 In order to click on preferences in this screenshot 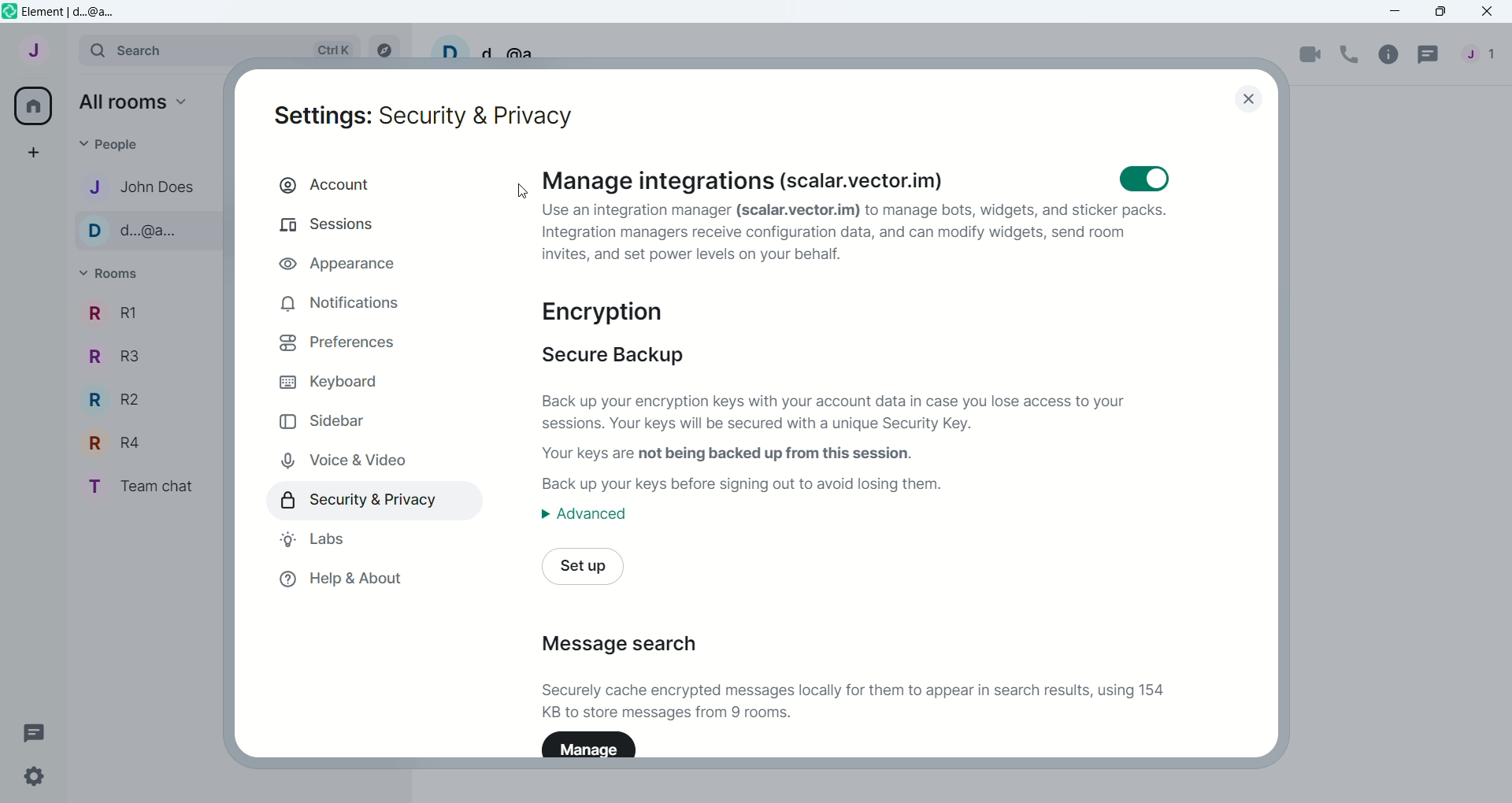, I will do `click(338, 346)`.